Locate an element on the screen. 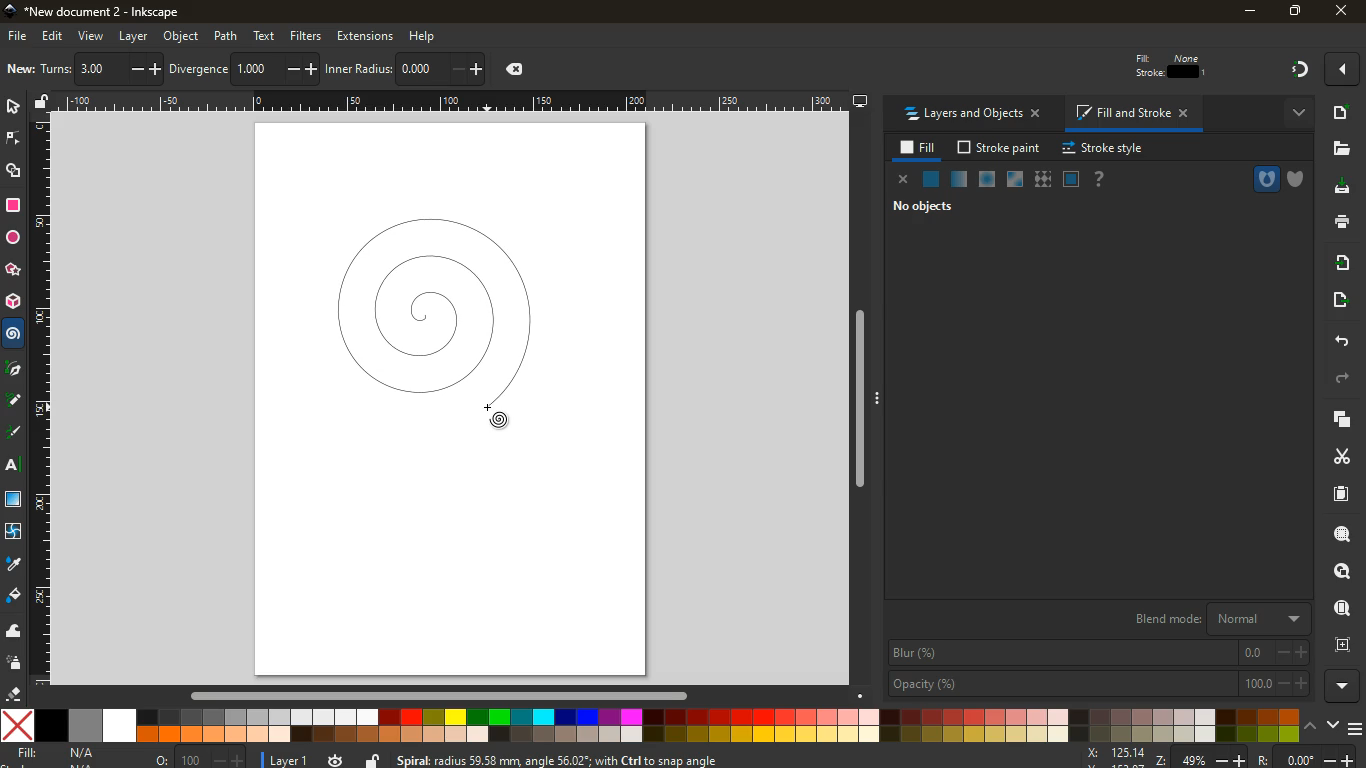 The image size is (1366, 768). object is located at coordinates (180, 36).